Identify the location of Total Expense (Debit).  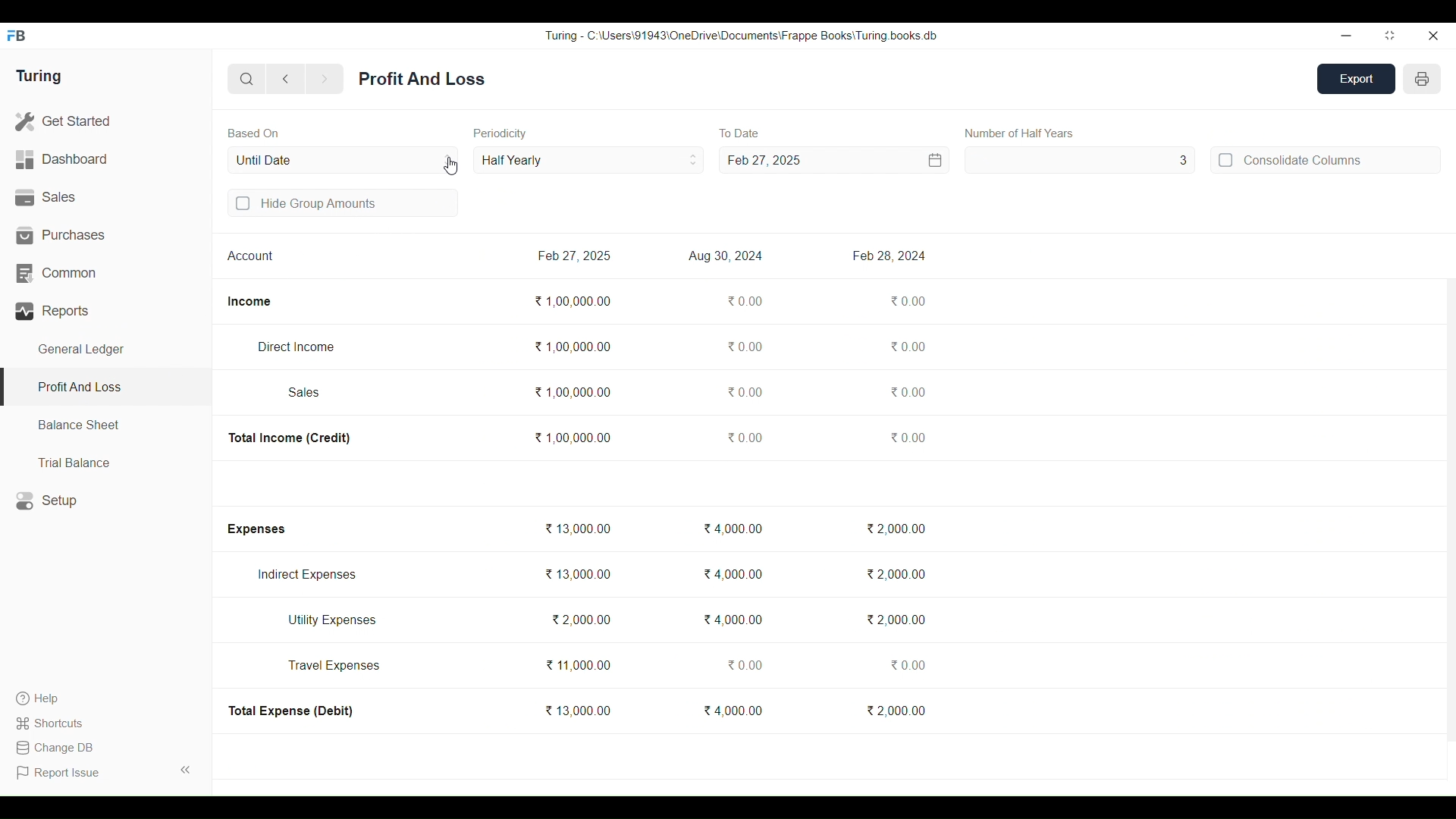
(292, 711).